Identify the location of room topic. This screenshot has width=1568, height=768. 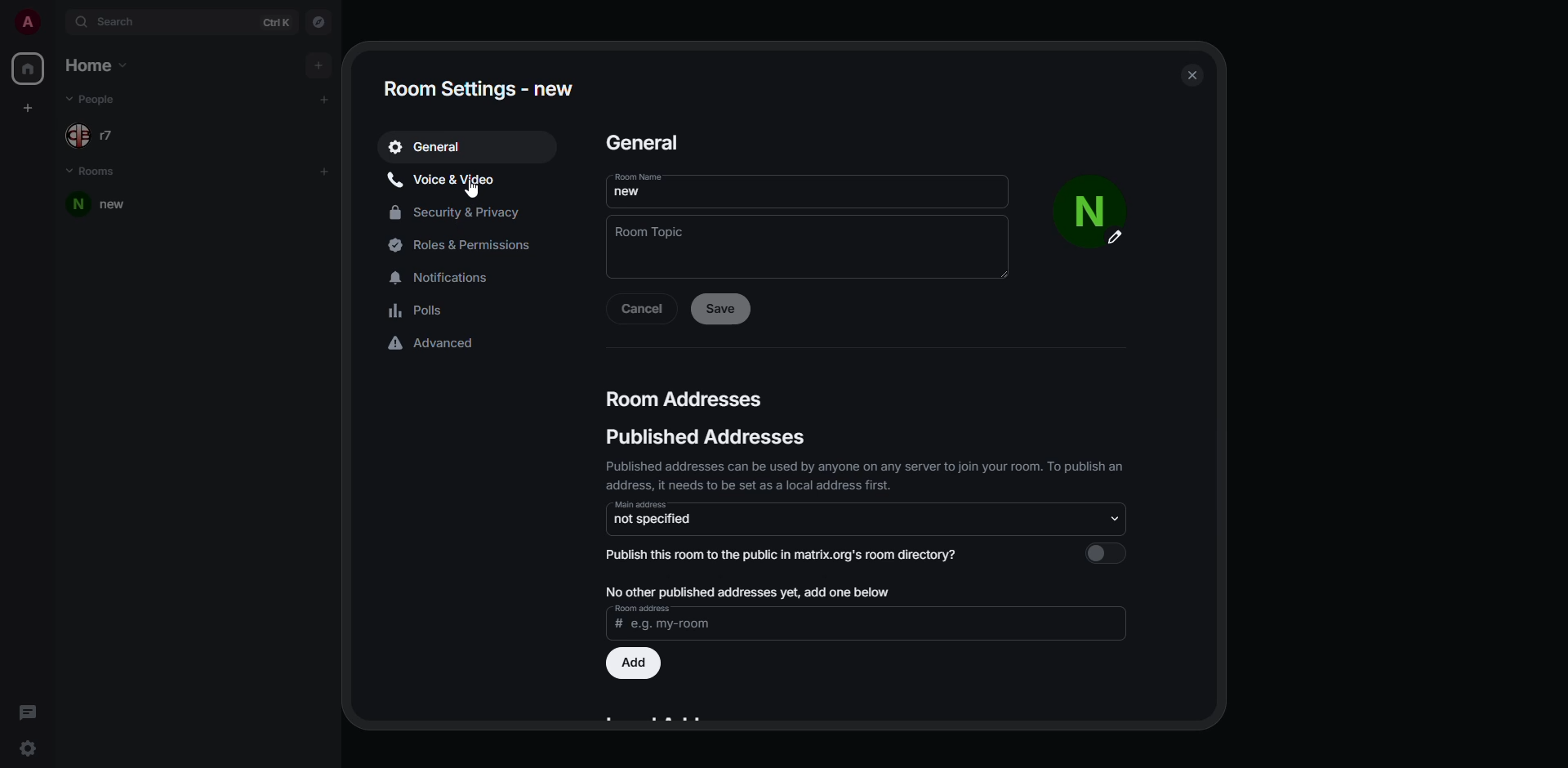
(659, 237).